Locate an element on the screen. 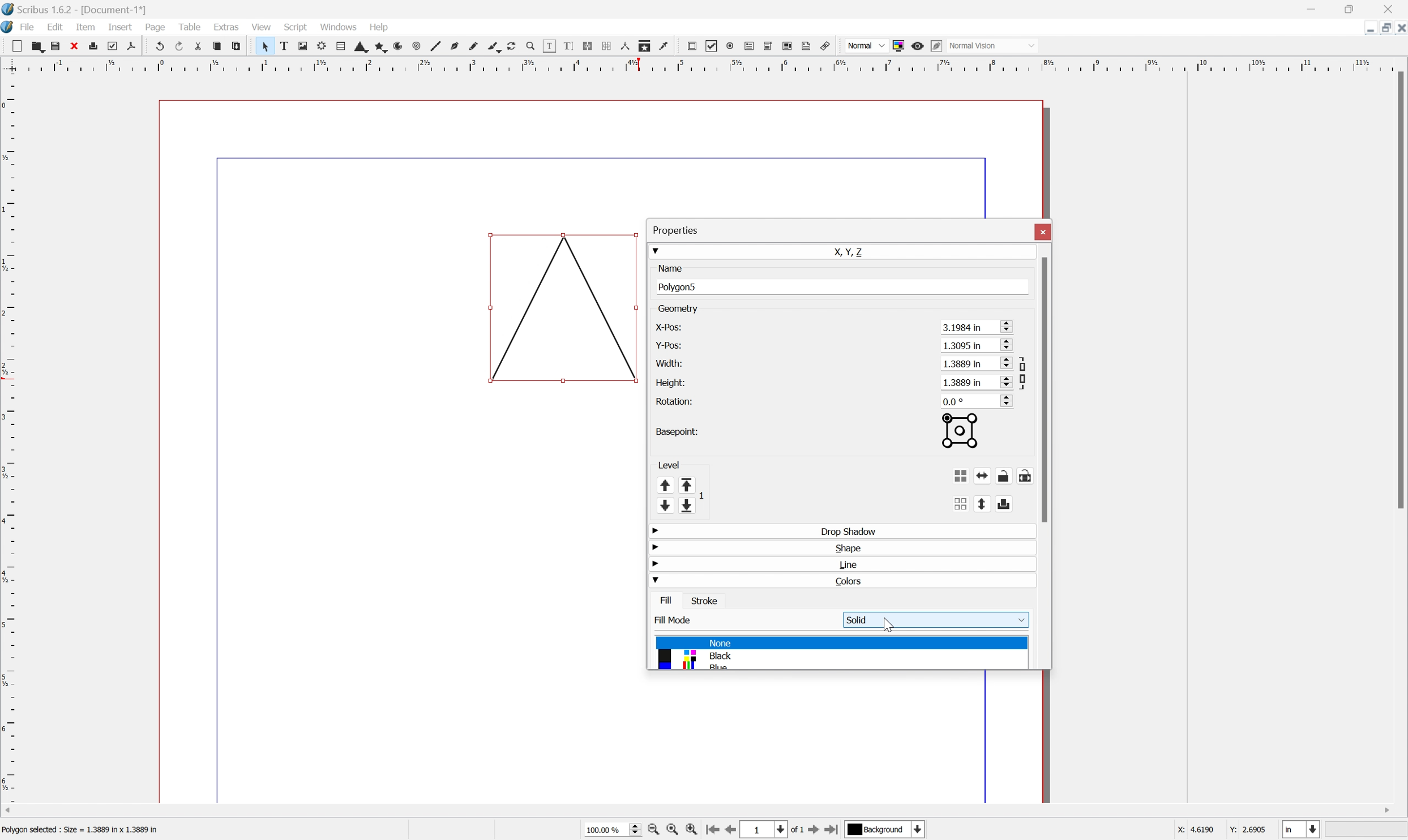 The image size is (1408, 840). Drop Shadow is located at coordinates (854, 530).